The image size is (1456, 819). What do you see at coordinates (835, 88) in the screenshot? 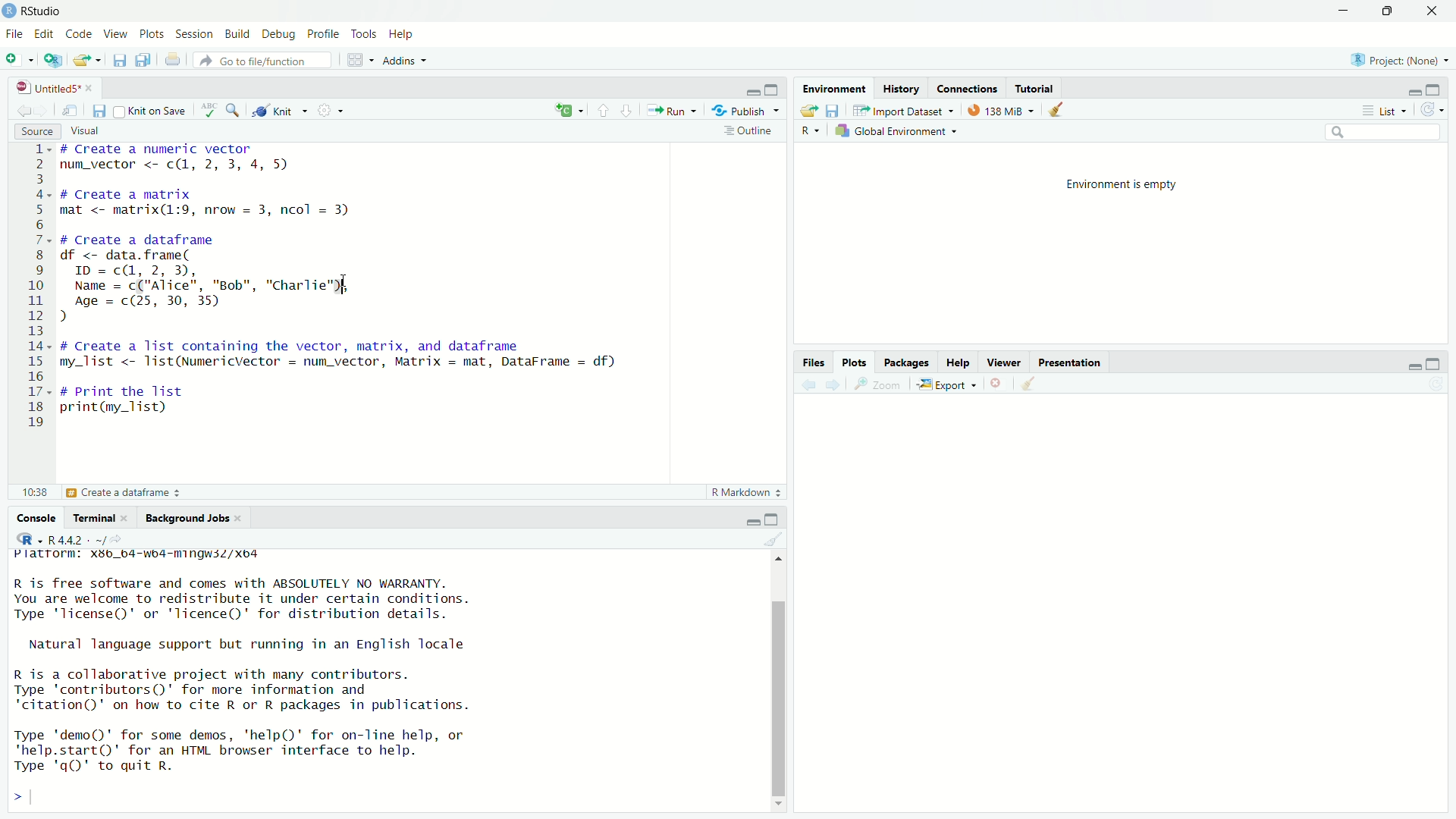
I see `Environment` at bounding box center [835, 88].